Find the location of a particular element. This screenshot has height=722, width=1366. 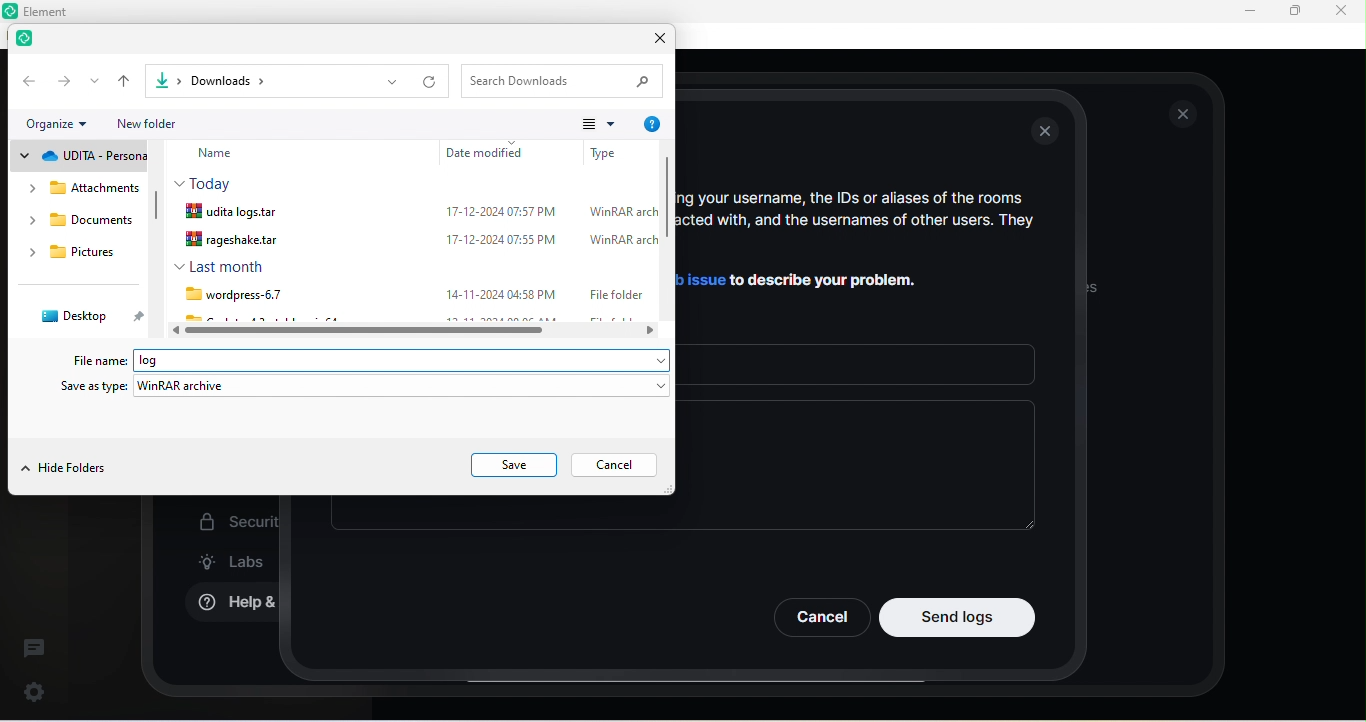

horizontal slider is located at coordinates (419, 331).